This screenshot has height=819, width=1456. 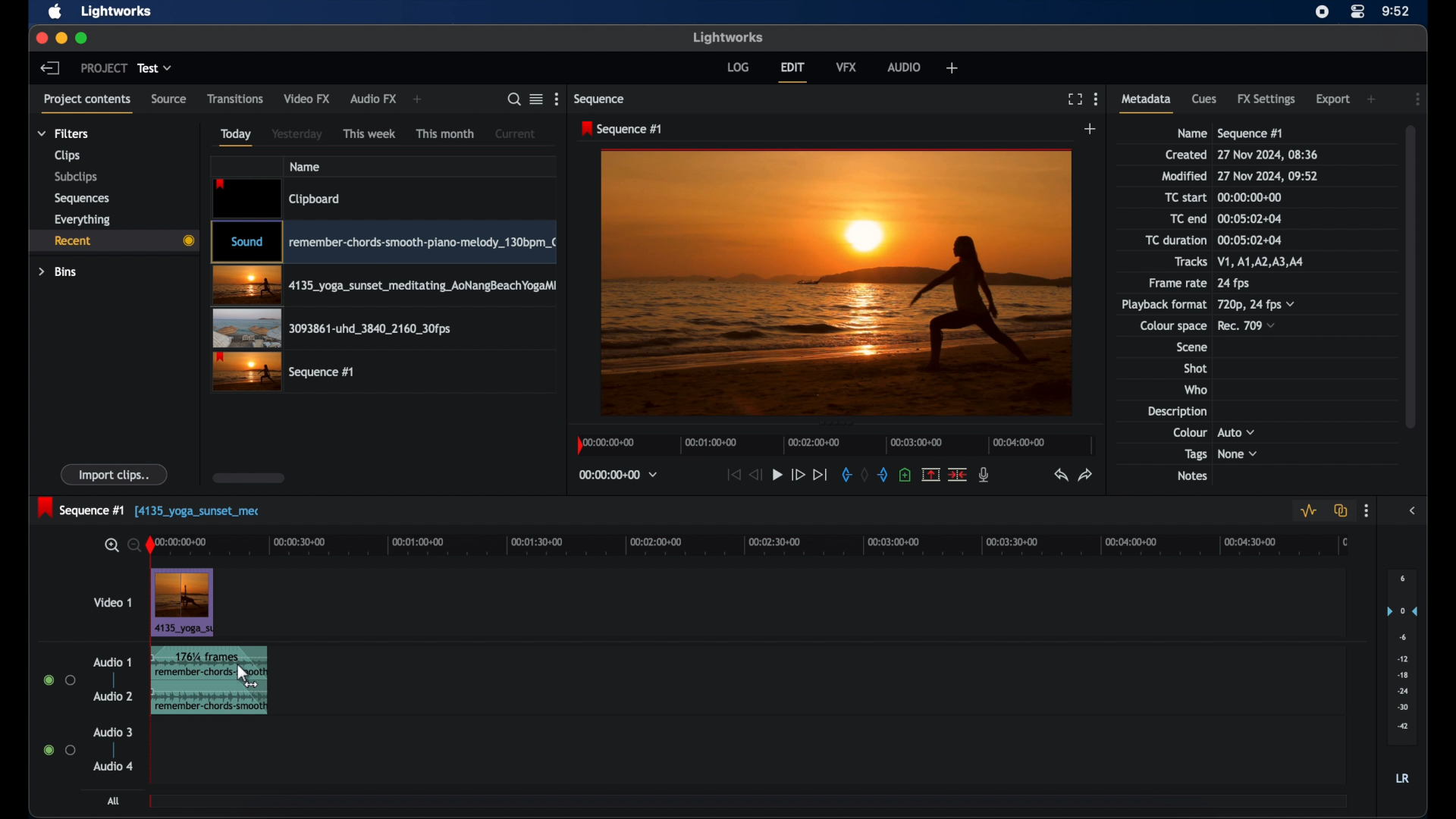 What do you see at coordinates (821, 475) in the screenshot?
I see `jump to end` at bounding box center [821, 475].